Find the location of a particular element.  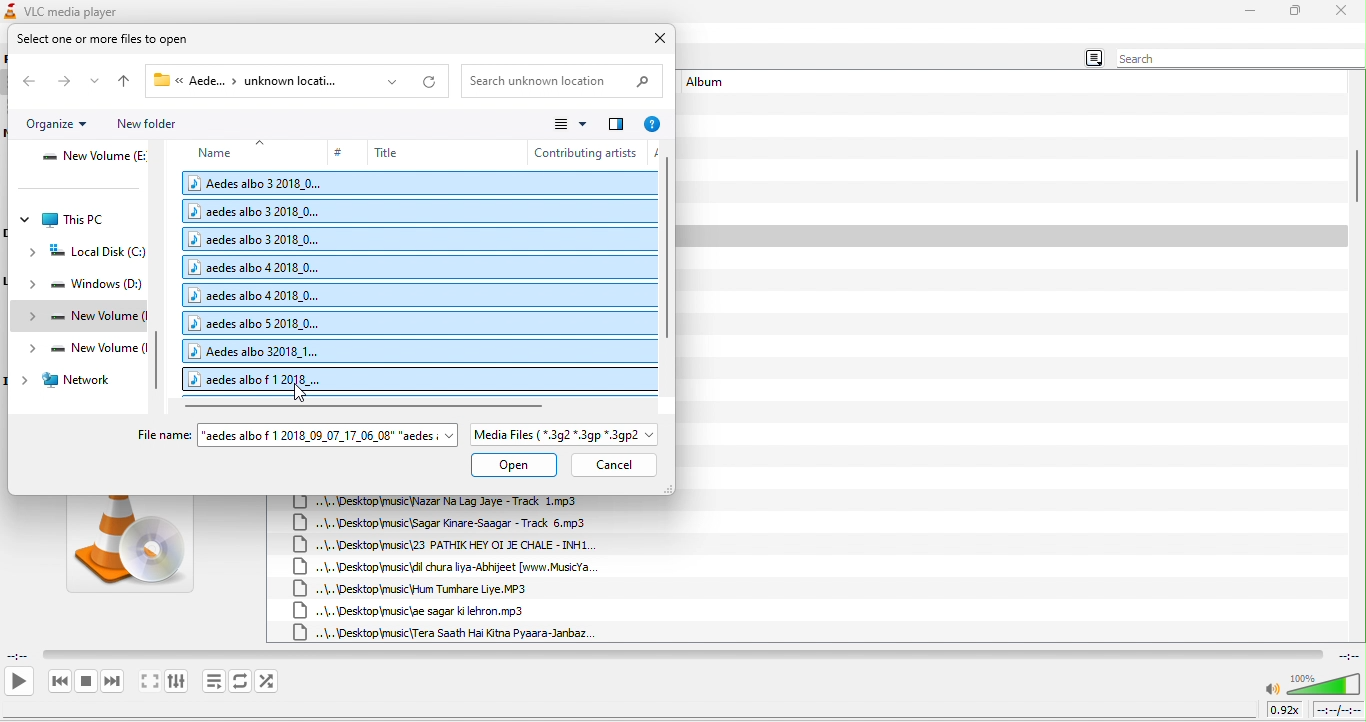

organize is located at coordinates (58, 125).